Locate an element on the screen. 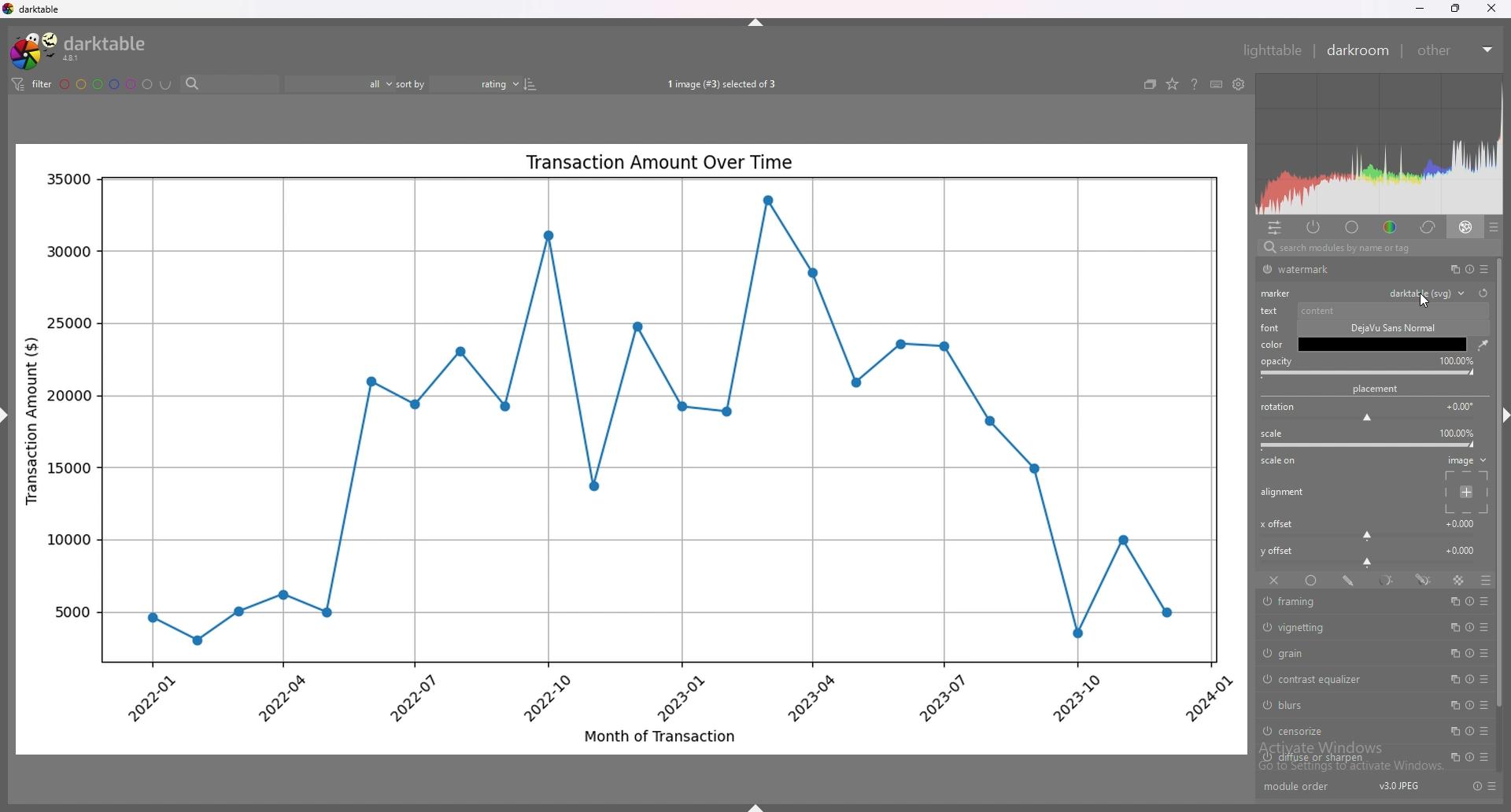 This screenshot has width=1511, height=812. watermark type is located at coordinates (1428, 293).